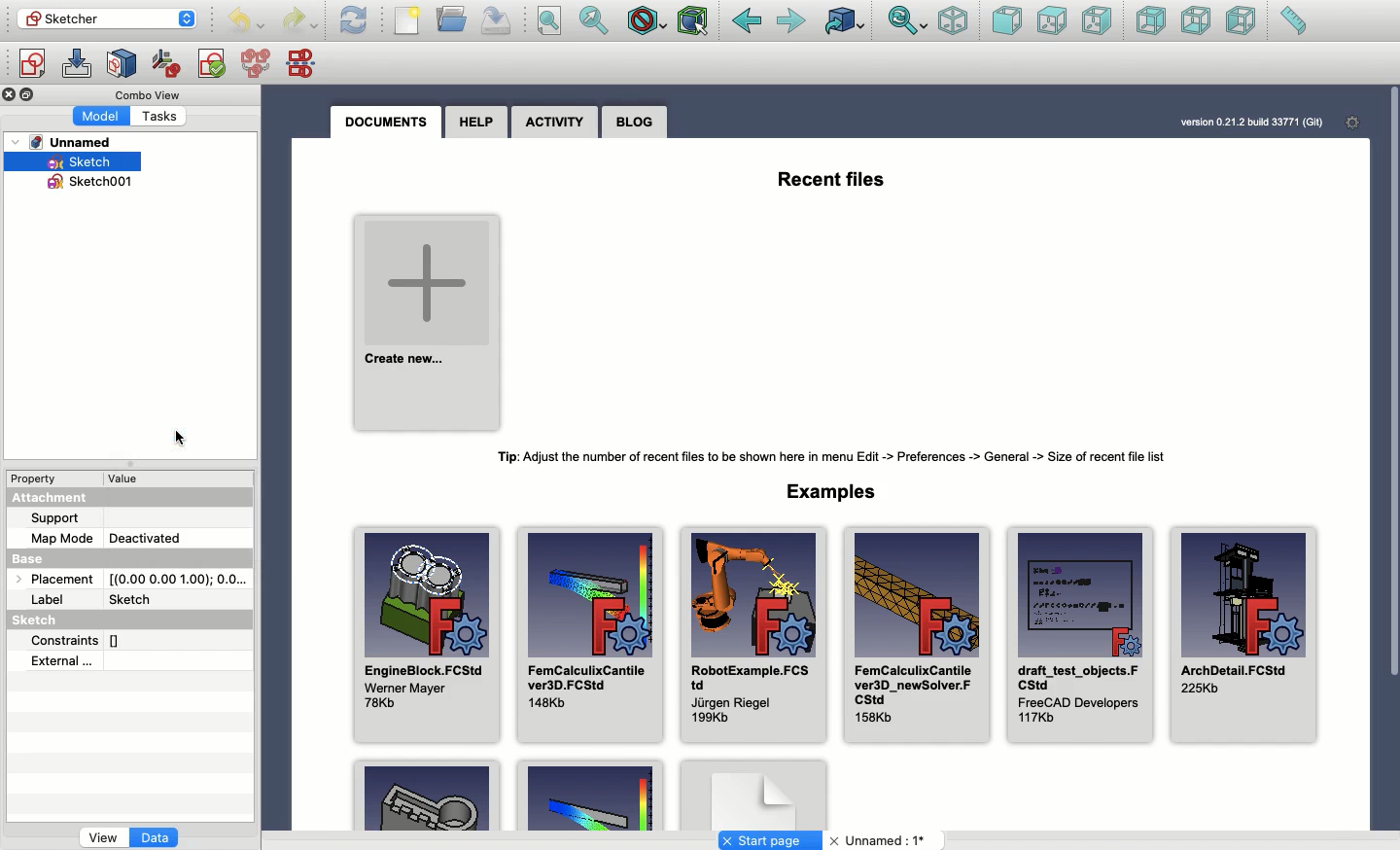 This screenshot has height=850, width=1400. I want to click on Map sketch to face, so click(122, 65).